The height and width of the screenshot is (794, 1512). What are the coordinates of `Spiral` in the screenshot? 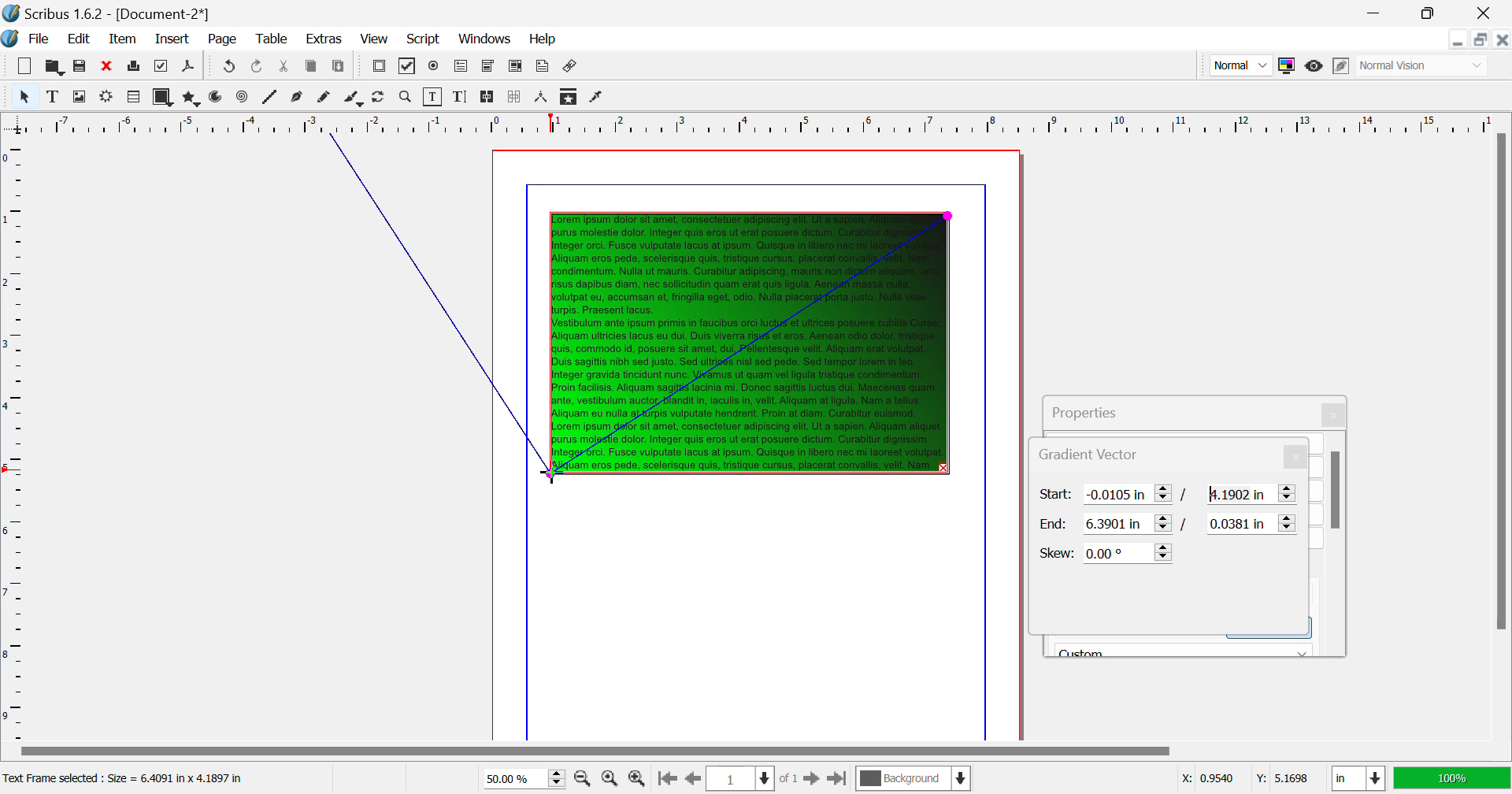 It's located at (242, 98).